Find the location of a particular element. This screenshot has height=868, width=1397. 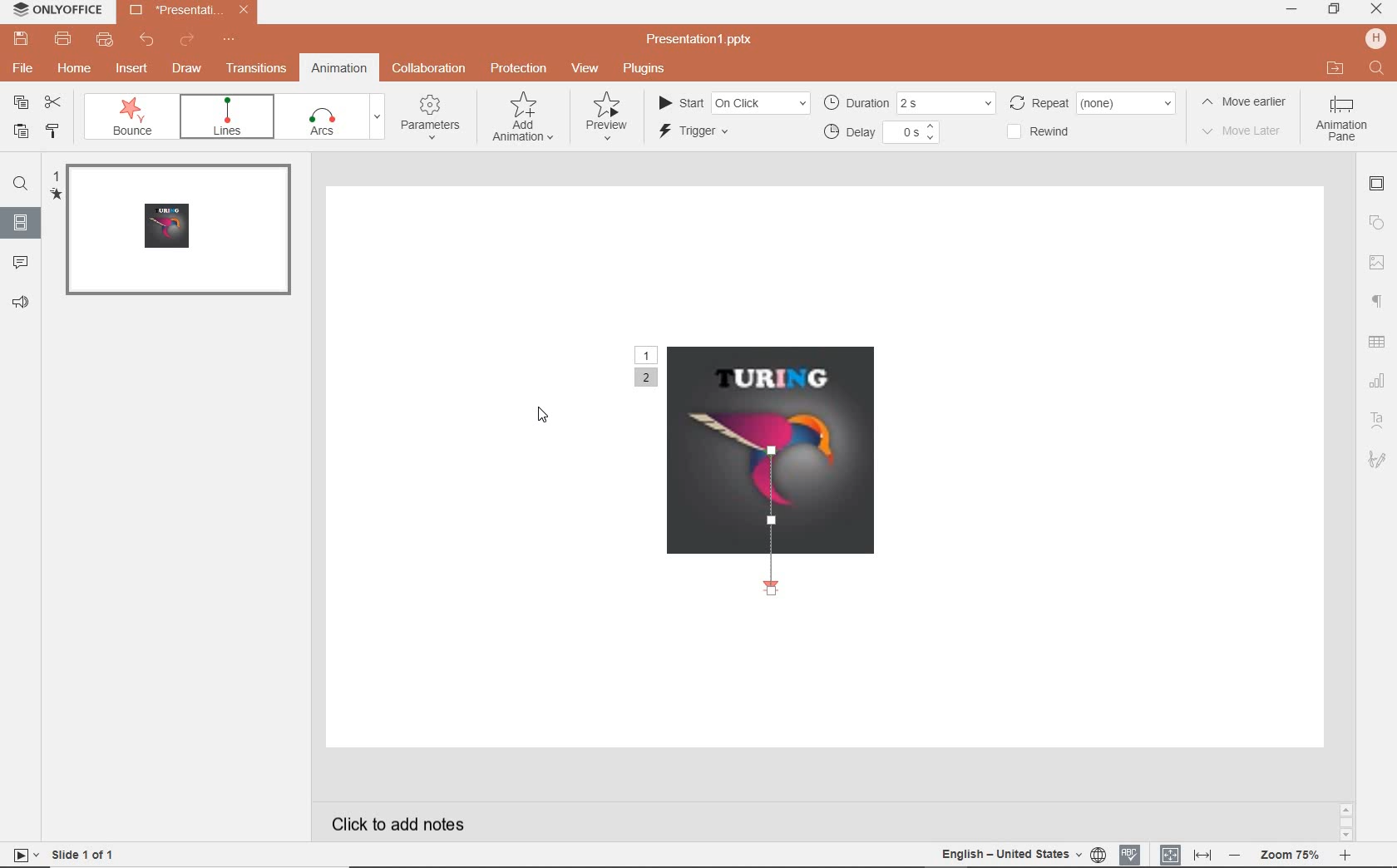

parameters is located at coordinates (437, 119).